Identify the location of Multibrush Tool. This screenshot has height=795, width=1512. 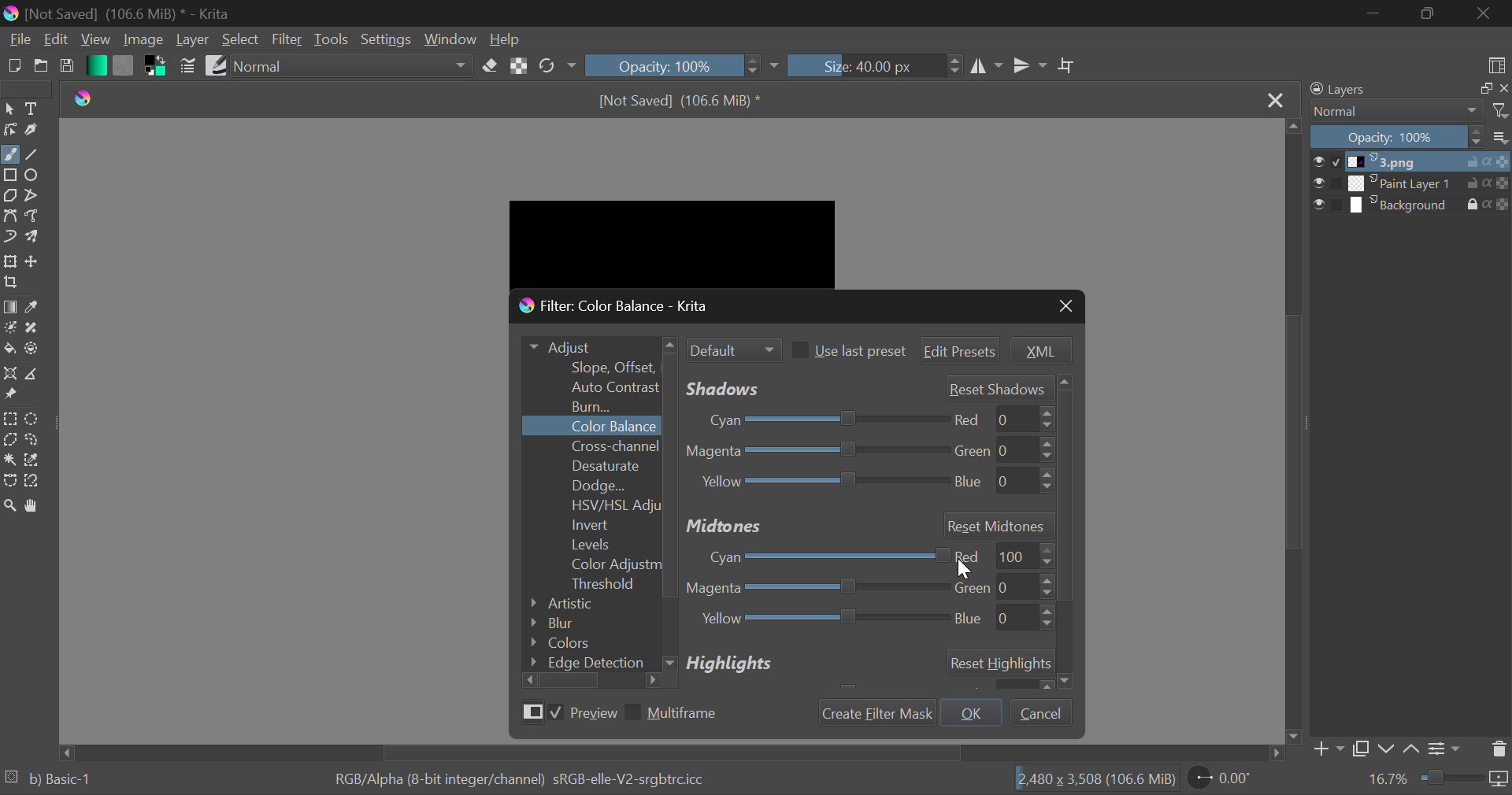
(38, 238).